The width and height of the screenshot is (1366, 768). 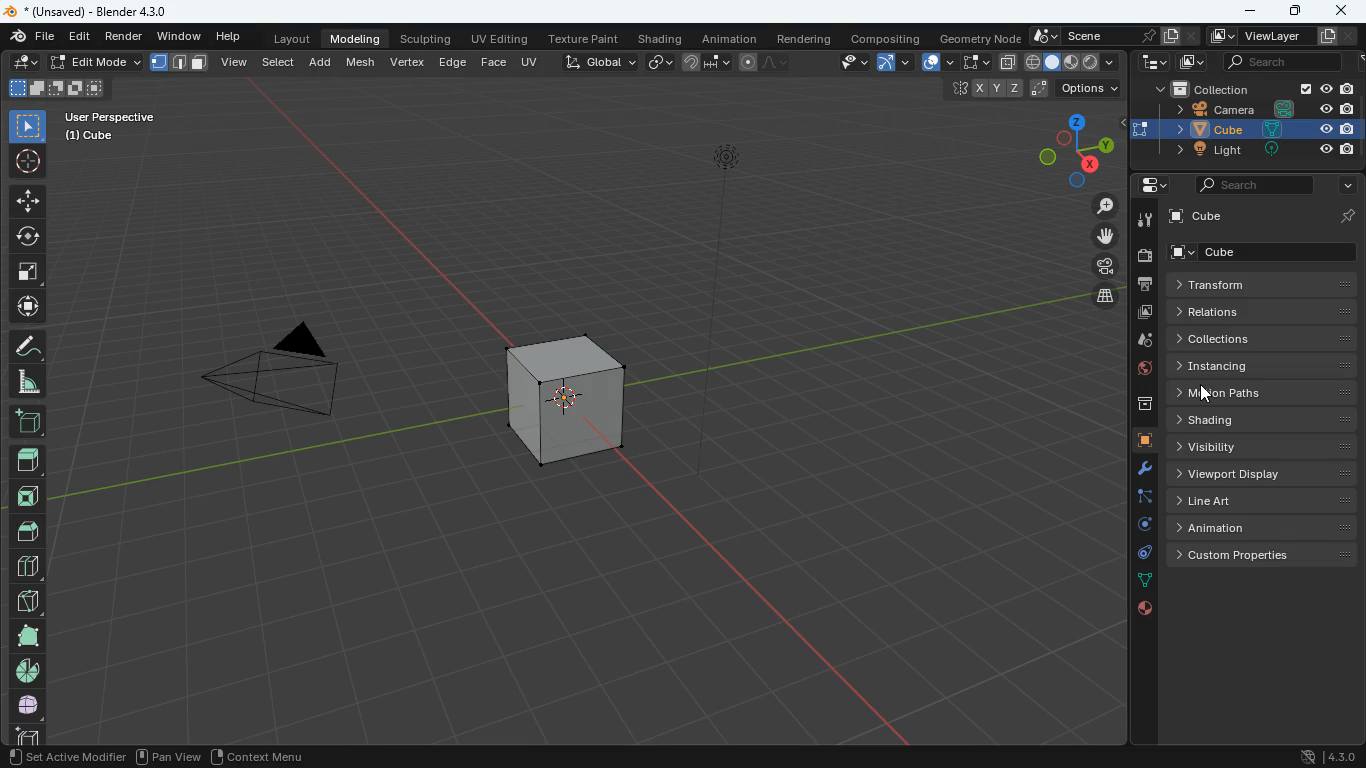 I want to click on light, so click(x=731, y=203).